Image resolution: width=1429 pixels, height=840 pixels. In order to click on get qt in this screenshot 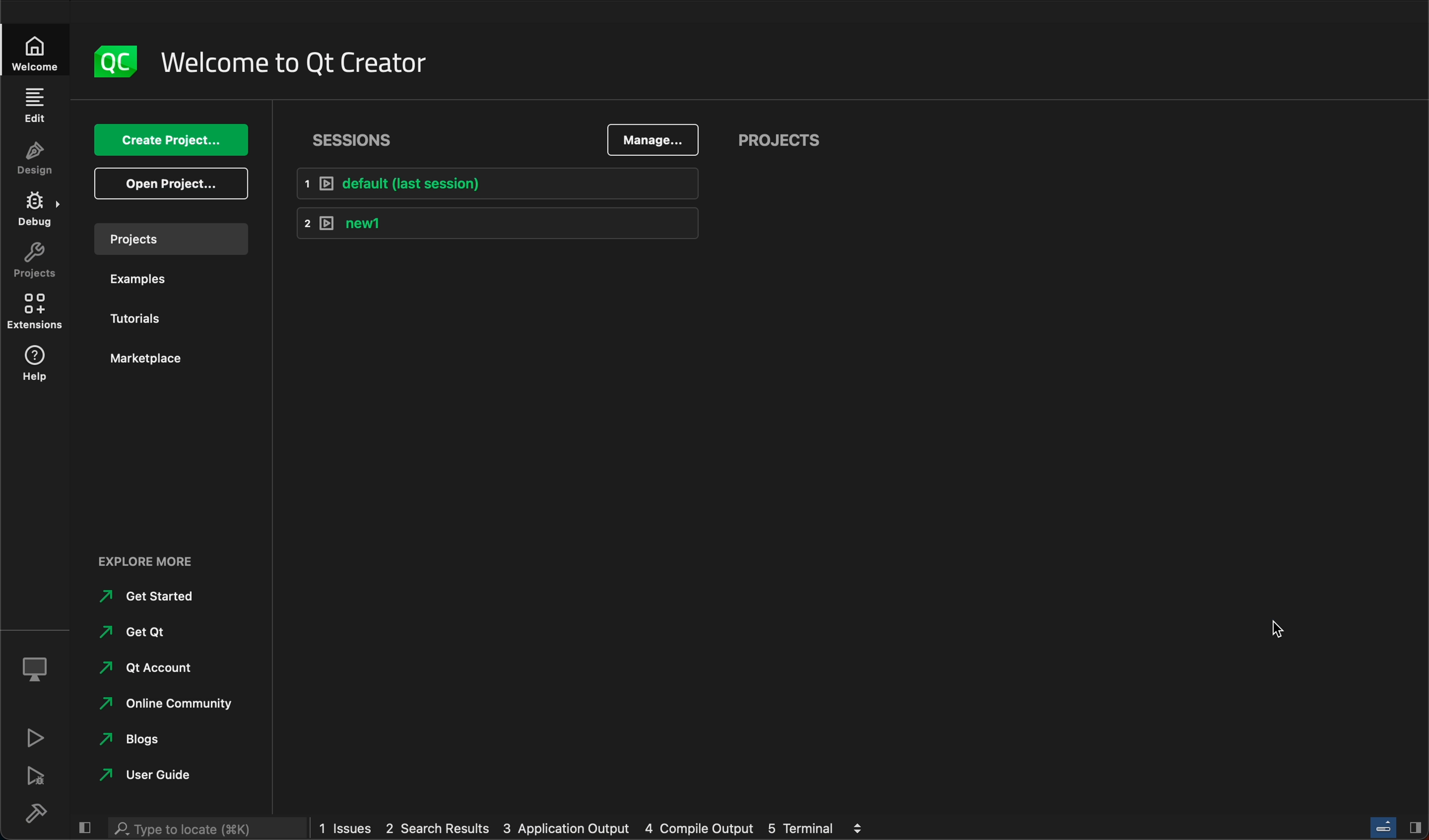, I will do `click(168, 629)`.